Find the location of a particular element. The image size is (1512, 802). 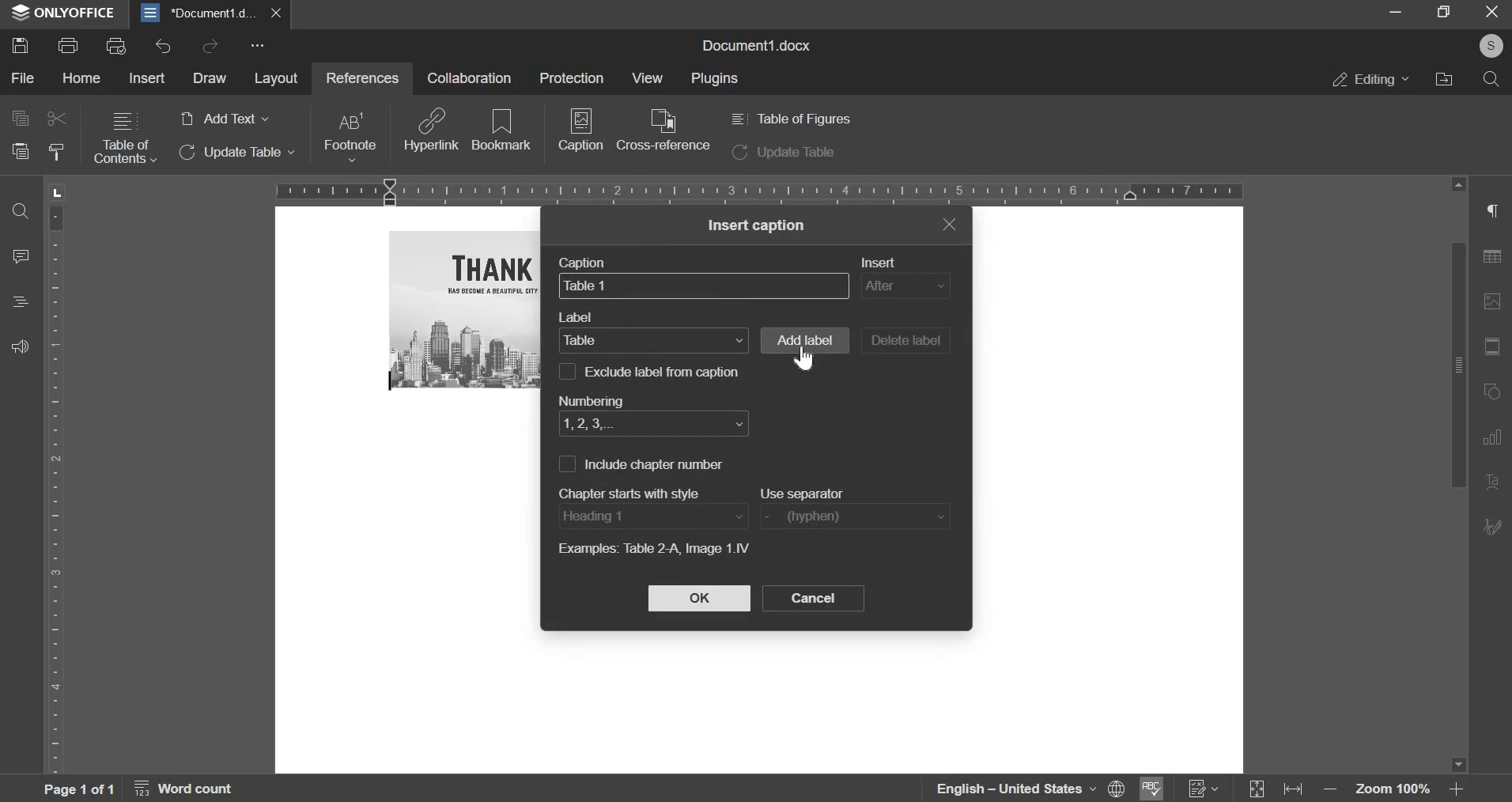

examples: table 2-a, image 1.iv is located at coordinates (652, 550).